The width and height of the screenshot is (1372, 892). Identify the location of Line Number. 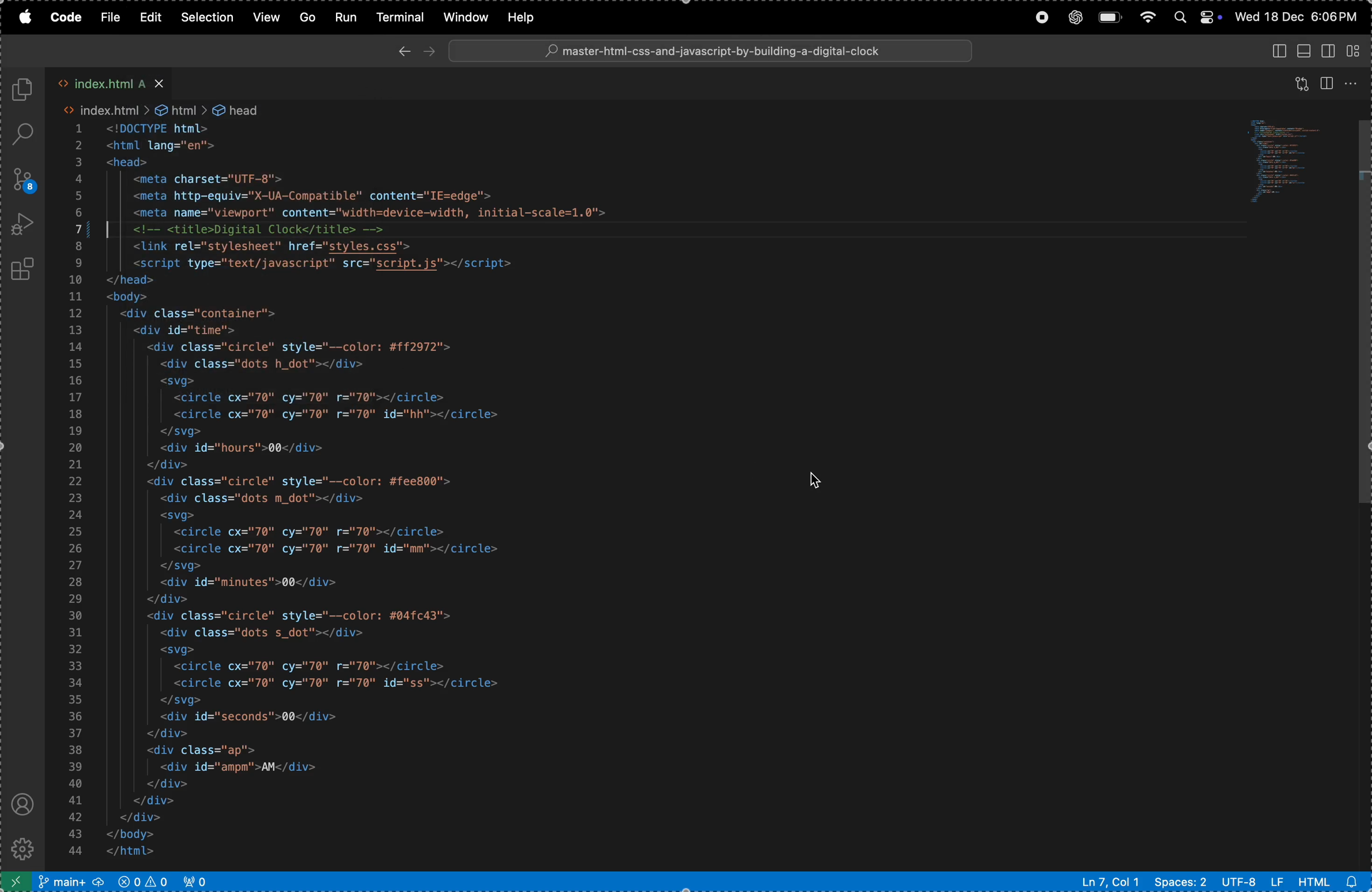
(76, 493).